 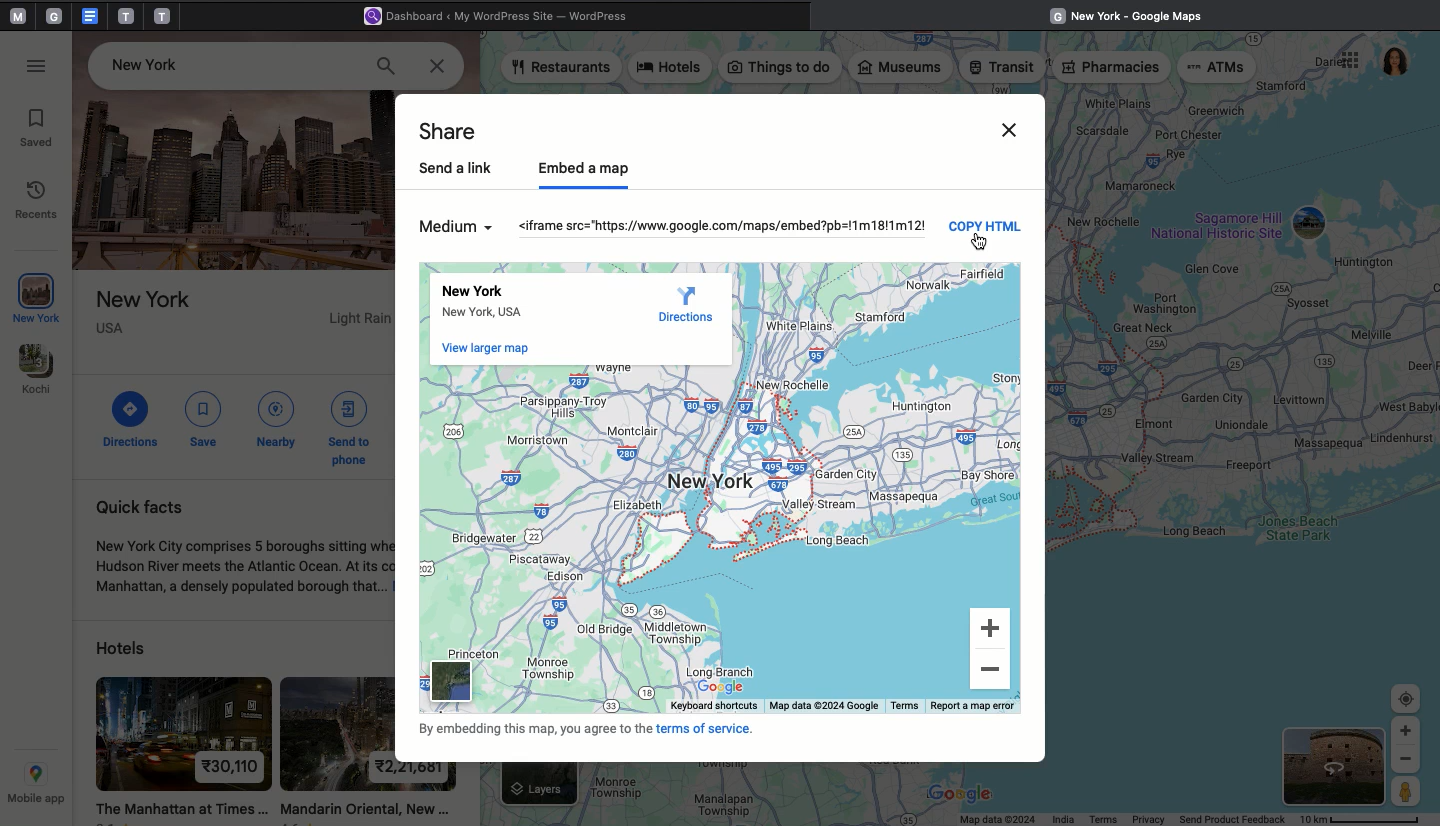 I want to click on Zoom In, so click(x=1406, y=731).